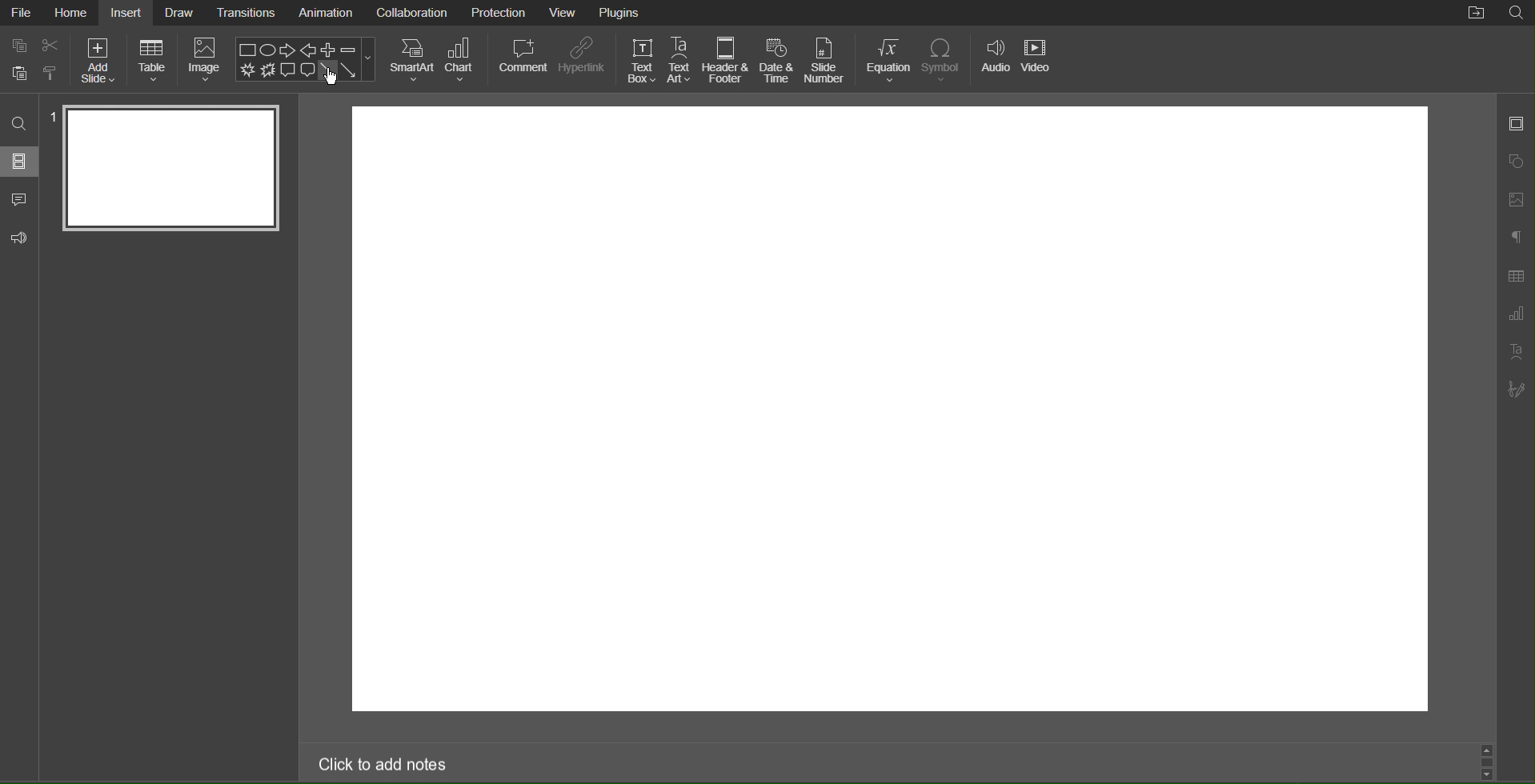 This screenshot has width=1535, height=784. What do you see at coordinates (622, 13) in the screenshot?
I see `Plugins` at bounding box center [622, 13].